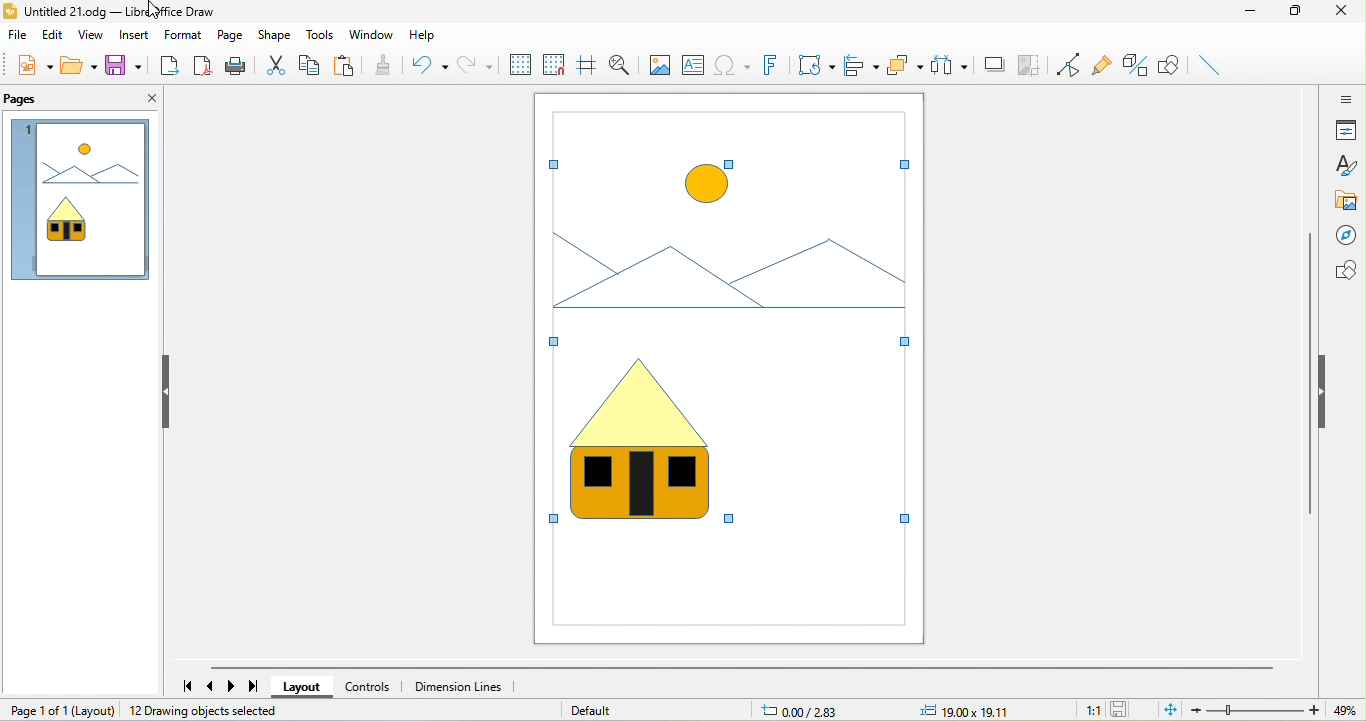 The width and height of the screenshot is (1366, 722). Describe the element at coordinates (1071, 64) in the screenshot. I see `toggle point edit mode` at that location.